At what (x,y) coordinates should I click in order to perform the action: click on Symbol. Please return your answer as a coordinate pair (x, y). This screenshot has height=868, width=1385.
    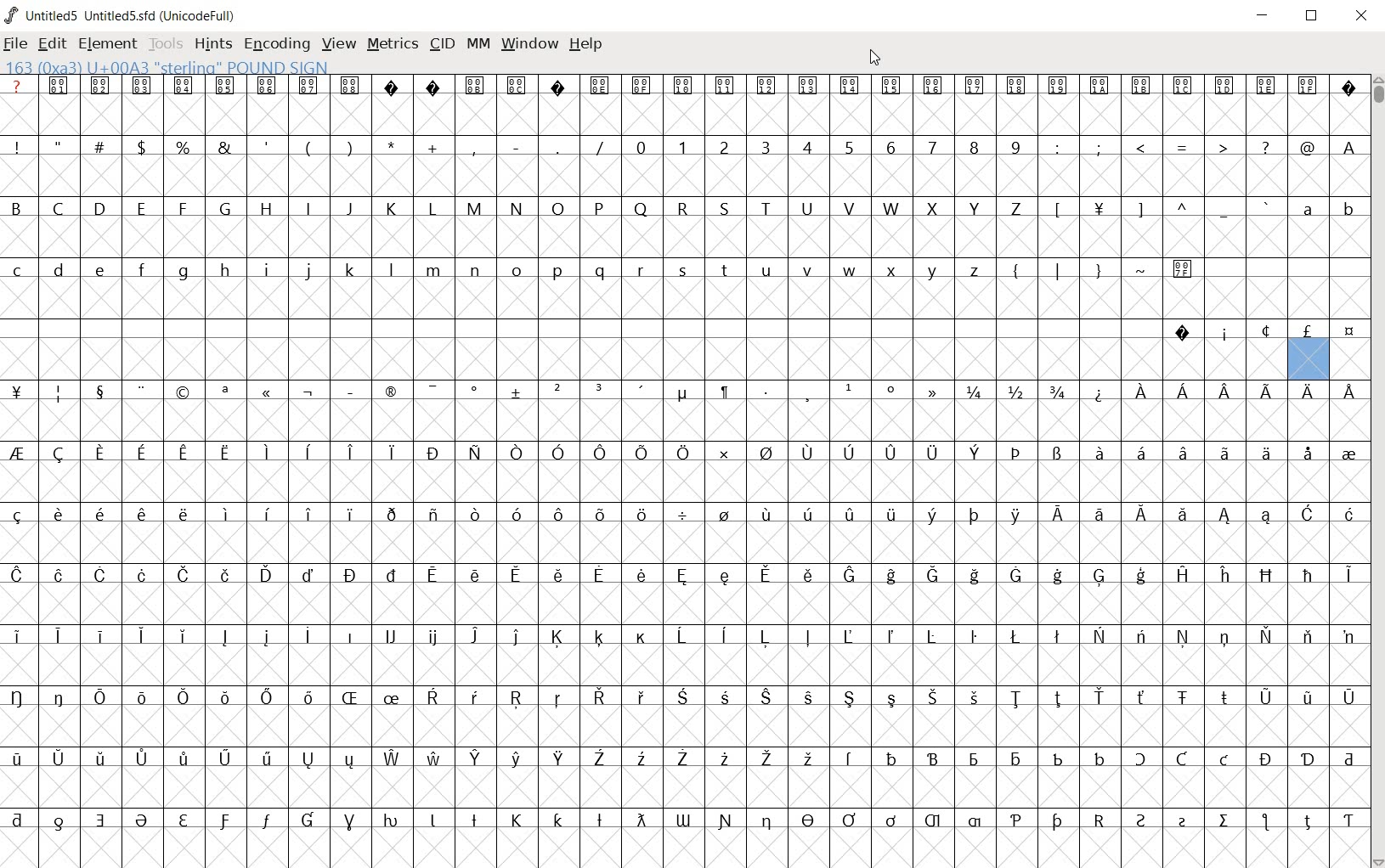
    Looking at the image, I should click on (1141, 577).